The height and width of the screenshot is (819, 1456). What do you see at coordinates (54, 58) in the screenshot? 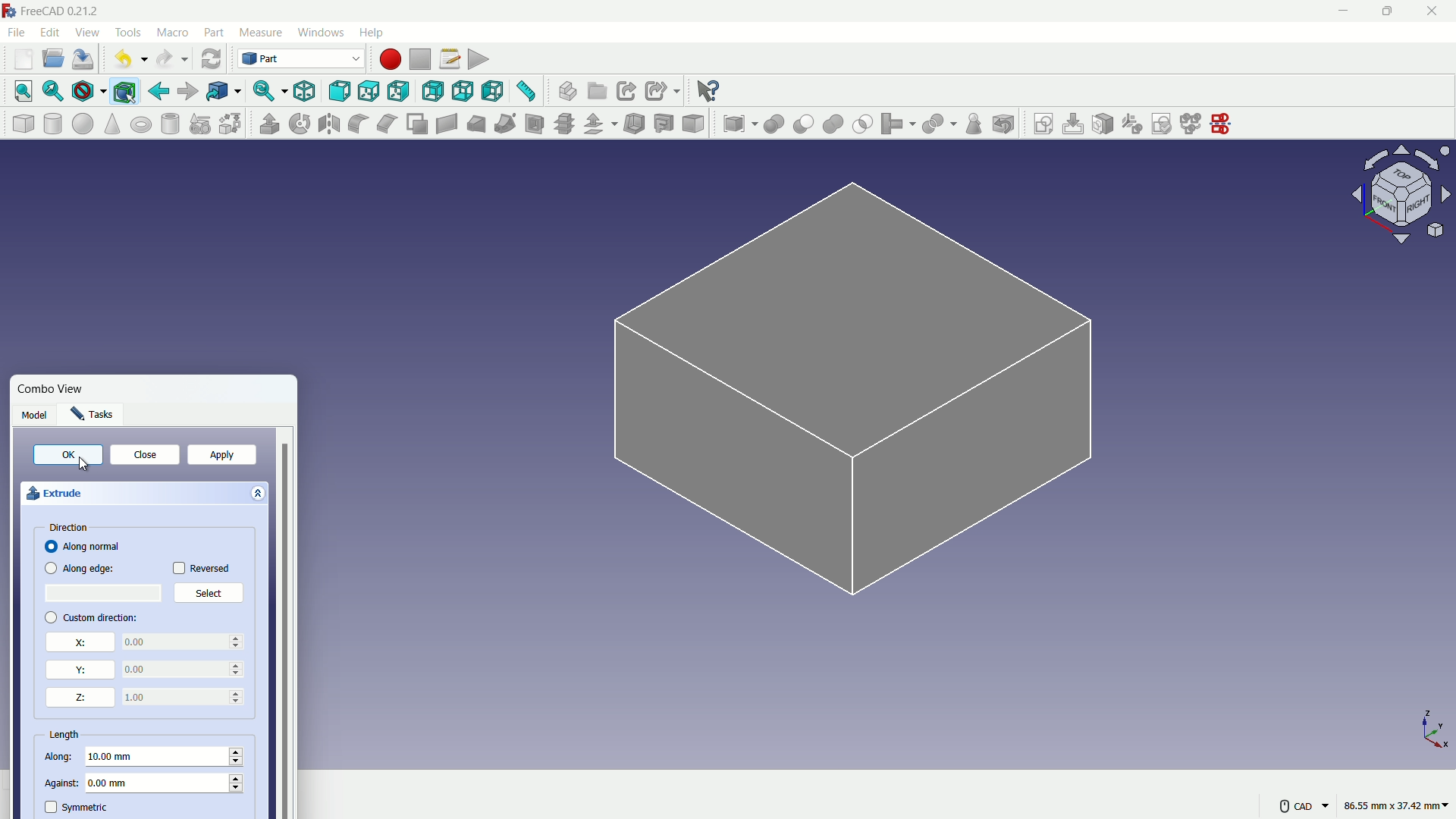
I see `open file` at bounding box center [54, 58].